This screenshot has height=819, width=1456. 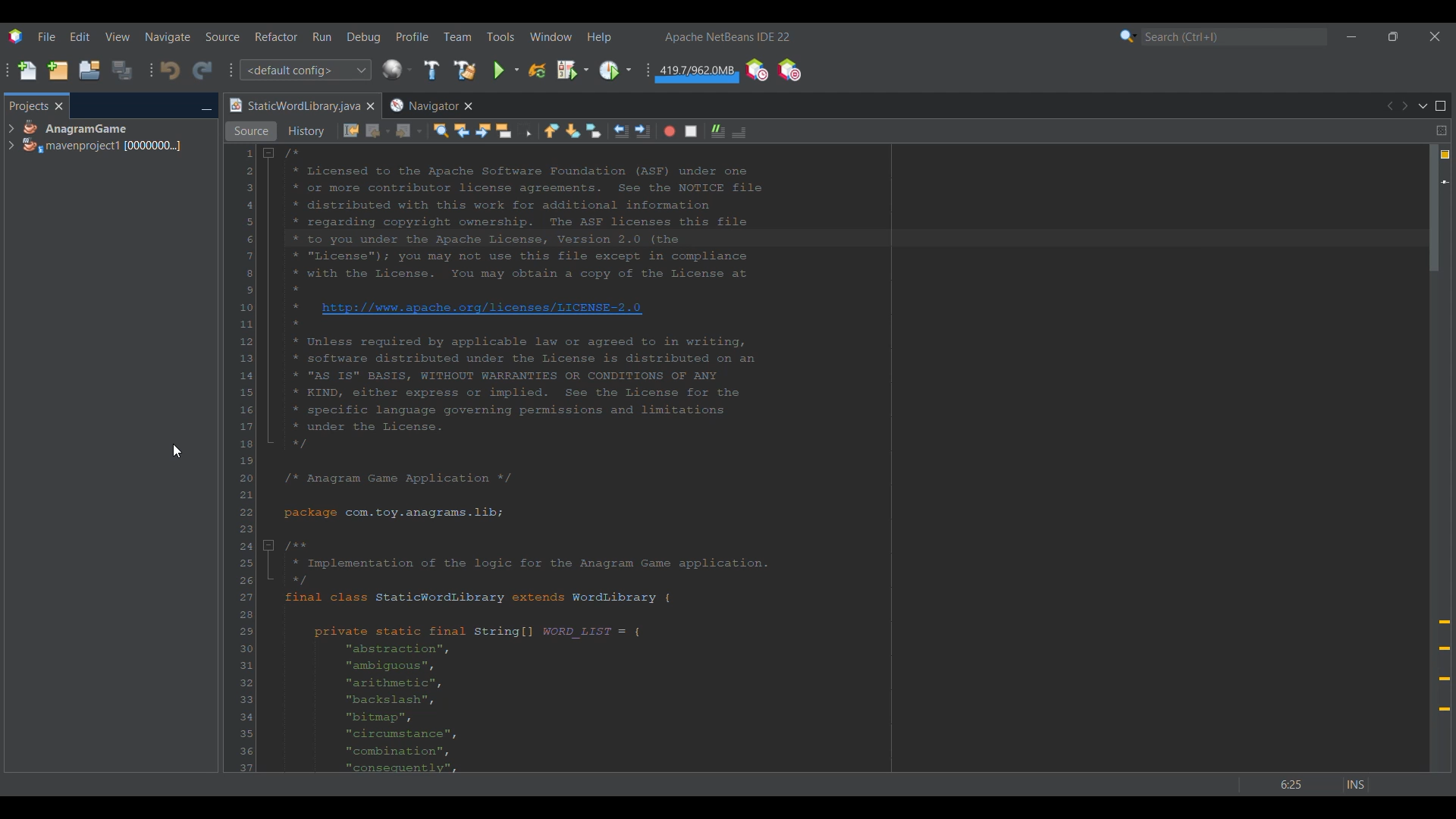 What do you see at coordinates (378, 131) in the screenshot?
I see `Back` at bounding box center [378, 131].